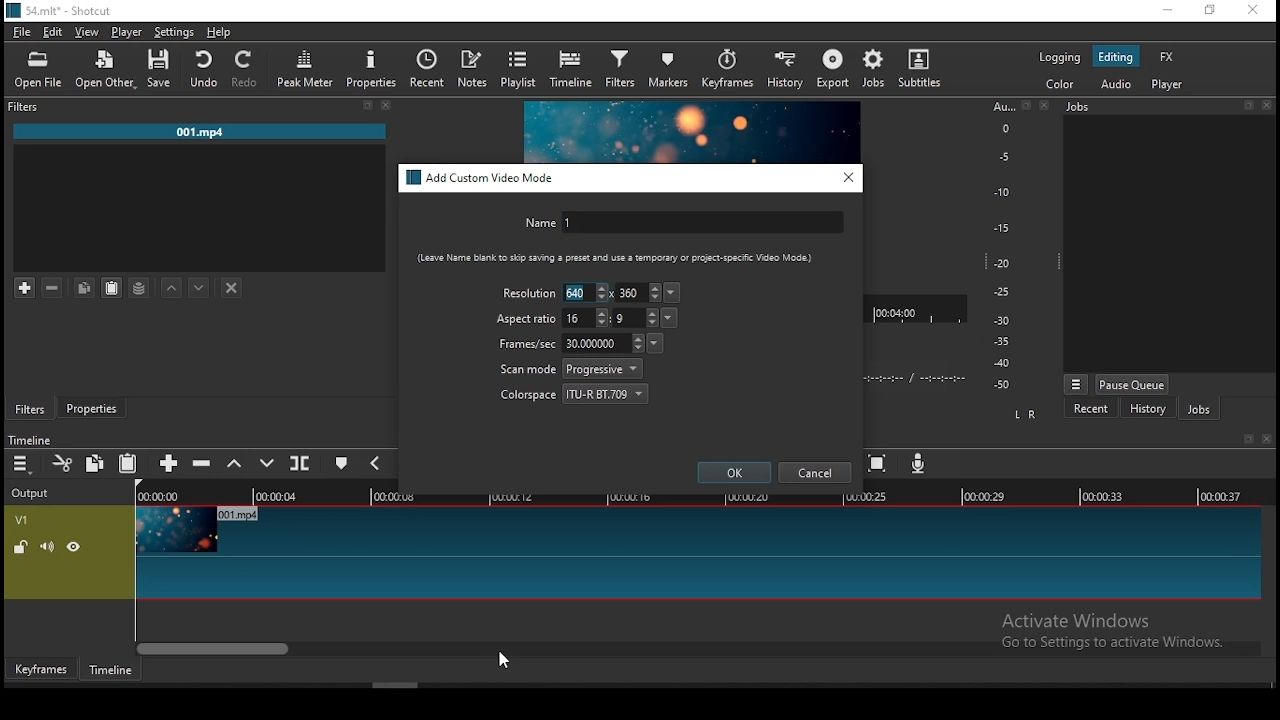 Image resolution: width=1280 pixels, height=720 pixels. Describe the element at coordinates (670, 67) in the screenshot. I see `markers` at that location.